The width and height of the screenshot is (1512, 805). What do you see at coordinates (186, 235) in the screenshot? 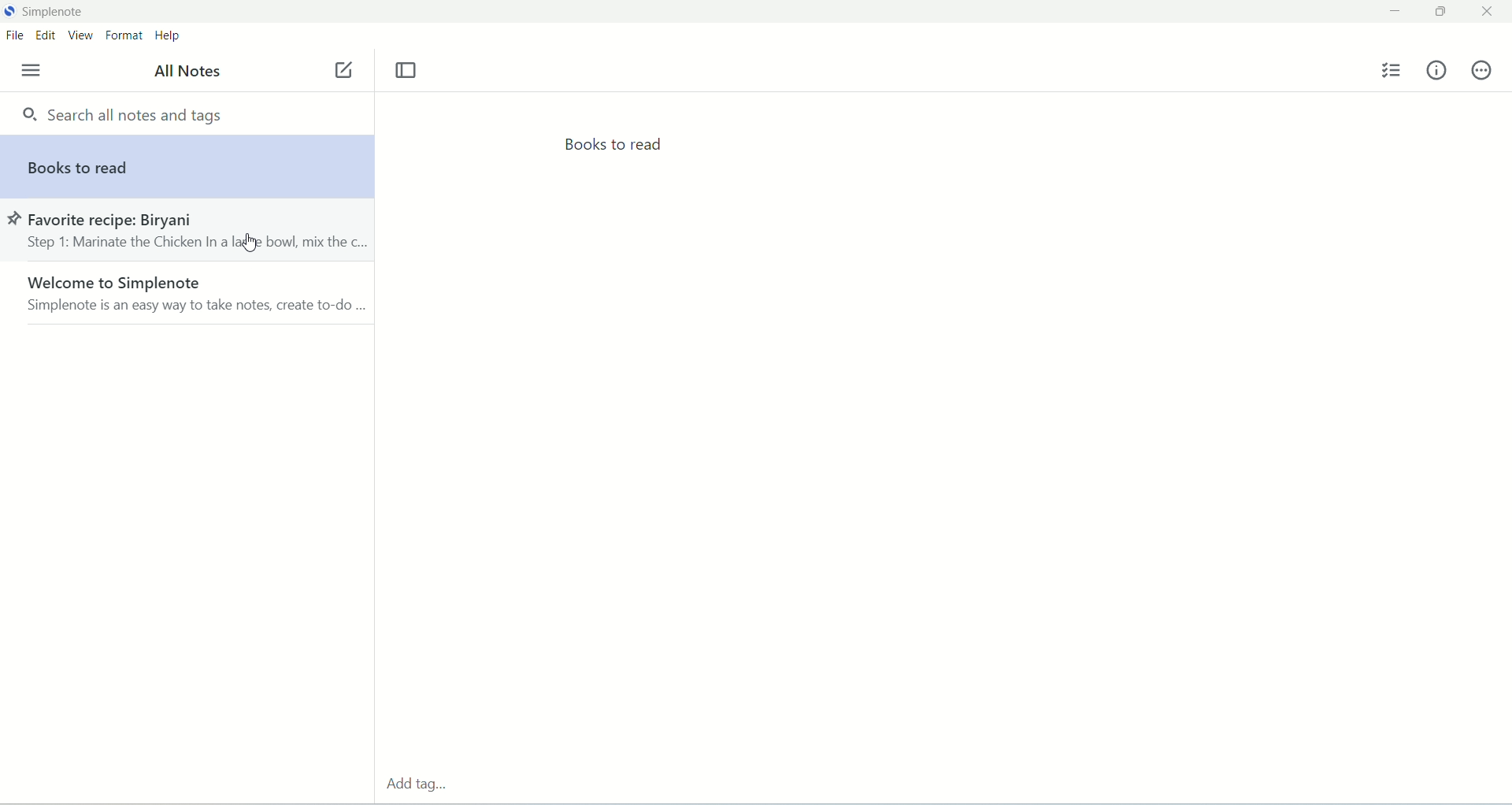
I see `favorite recipe` at bounding box center [186, 235].